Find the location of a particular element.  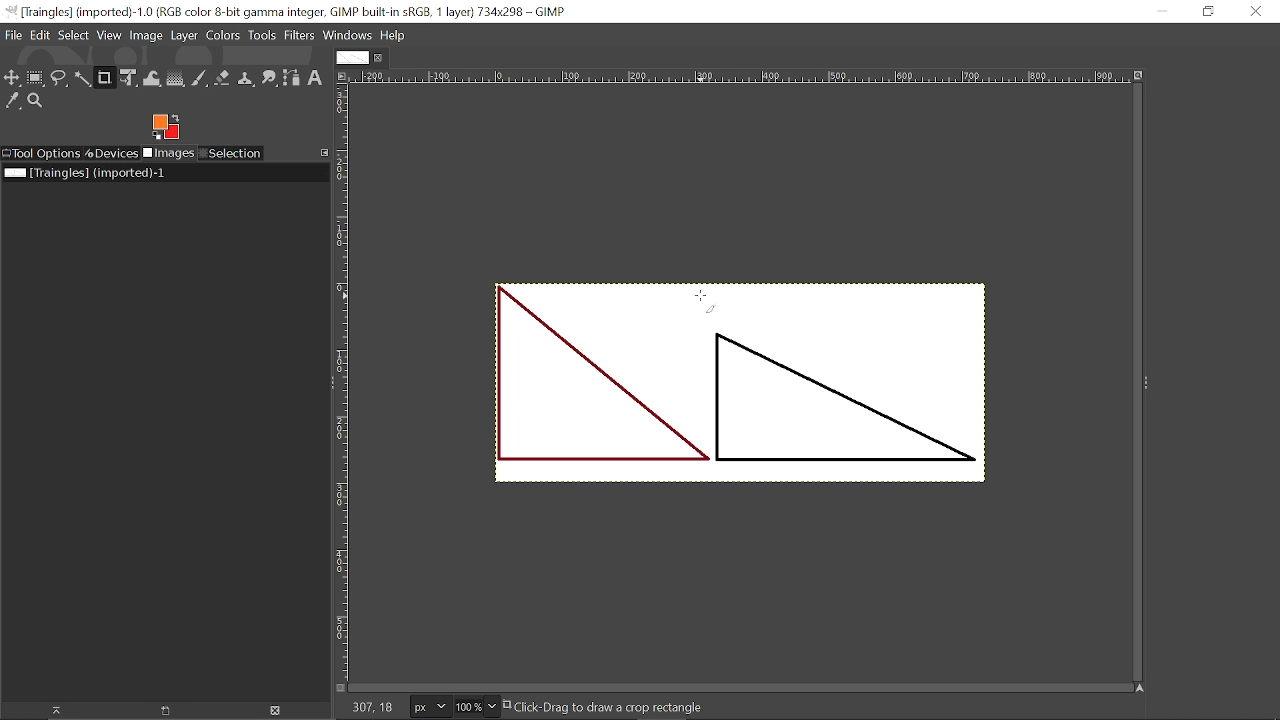

Delete image is located at coordinates (281, 711).